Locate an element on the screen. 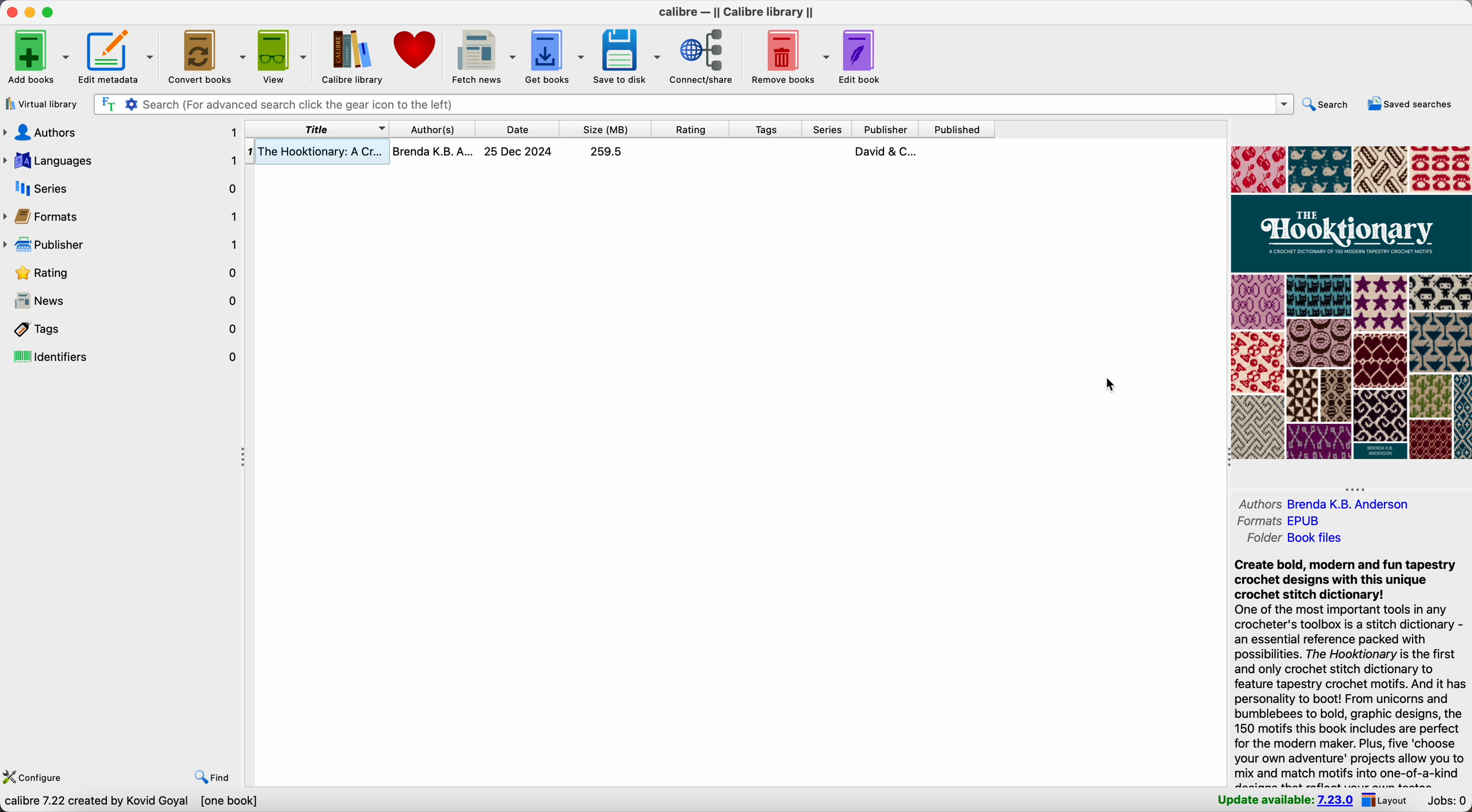 Image resolution: width=1472 pixels, height=812 pixels. languages is located at coordinates (121, 157).